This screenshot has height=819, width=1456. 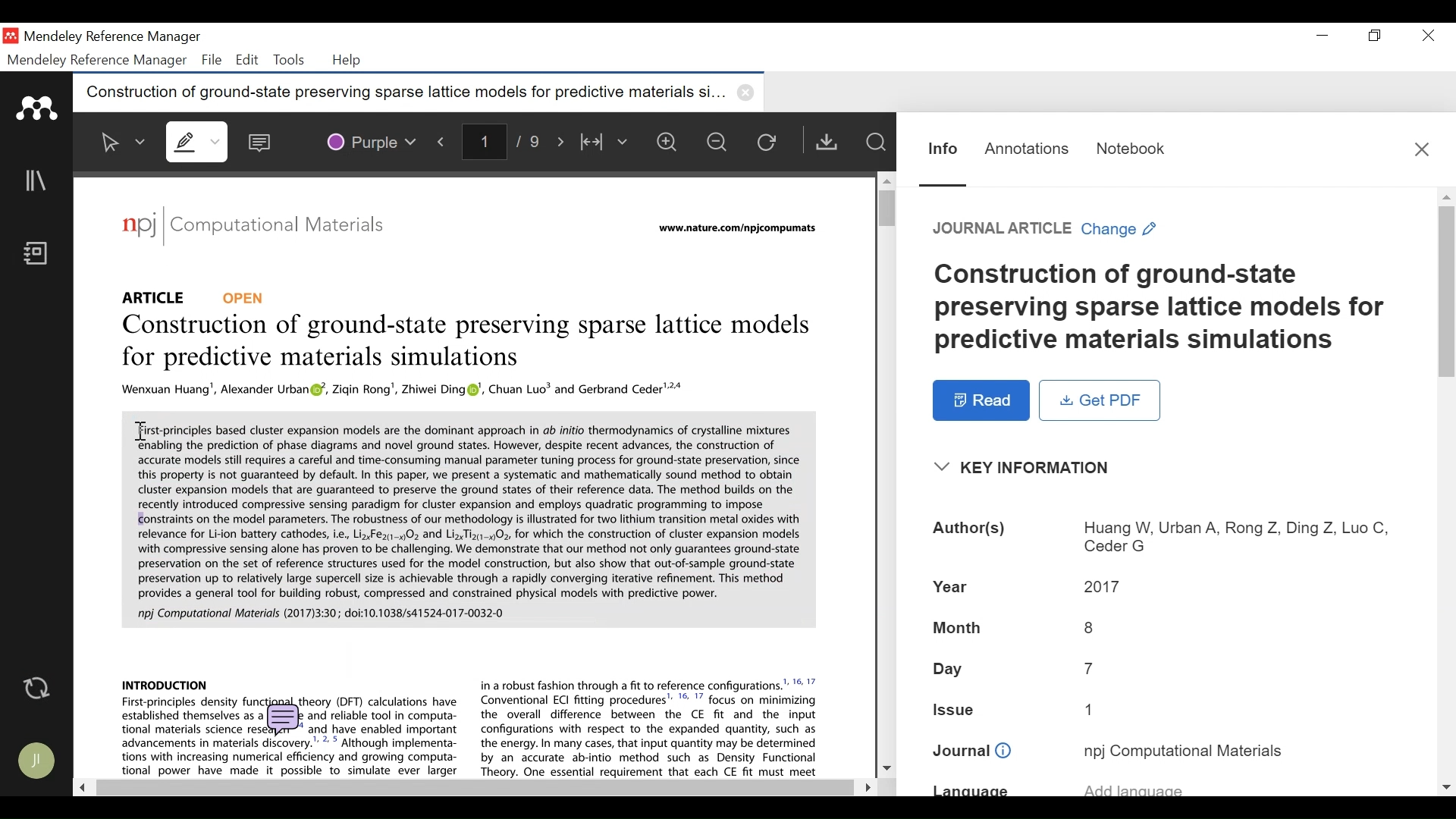 What do you see at coordinates (826, 141) in the screenshot?
I see `Get PDF` at bounding box center [826, 141].